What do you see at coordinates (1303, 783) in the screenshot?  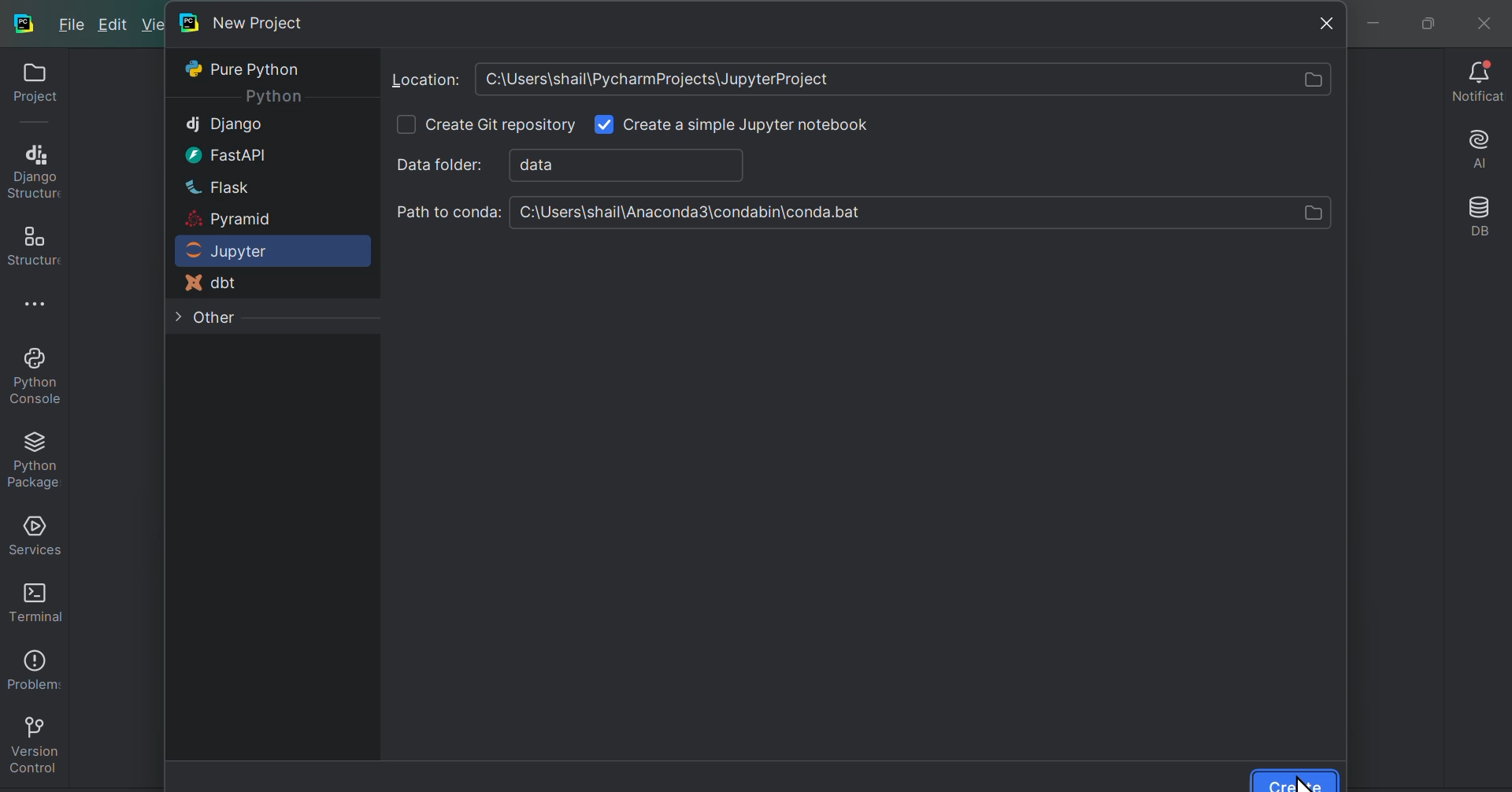 I see `cursor` at bounding box center [1303, 783].